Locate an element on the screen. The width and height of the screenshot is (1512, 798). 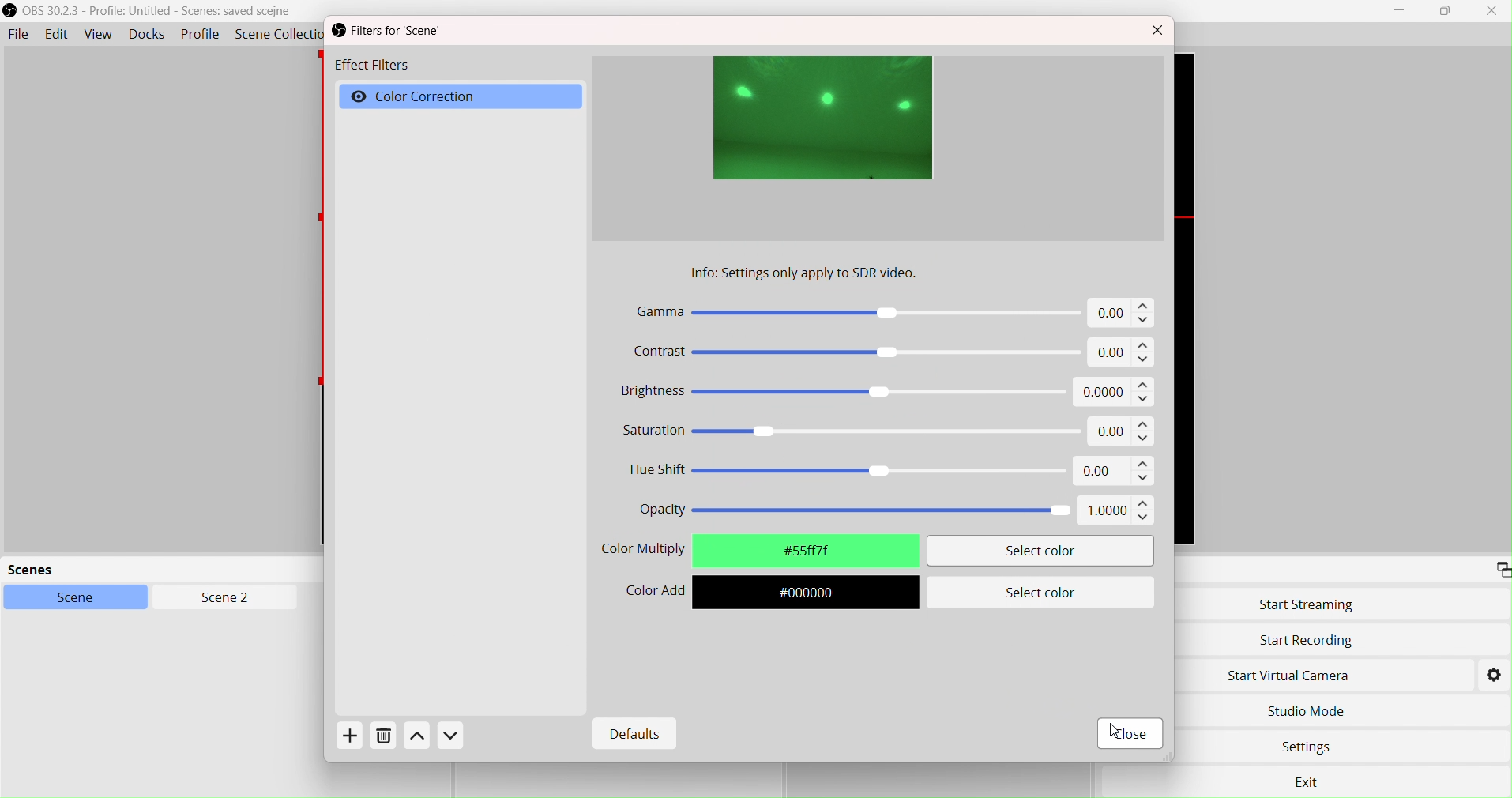
Settings is located at coordinates (1494, 674).